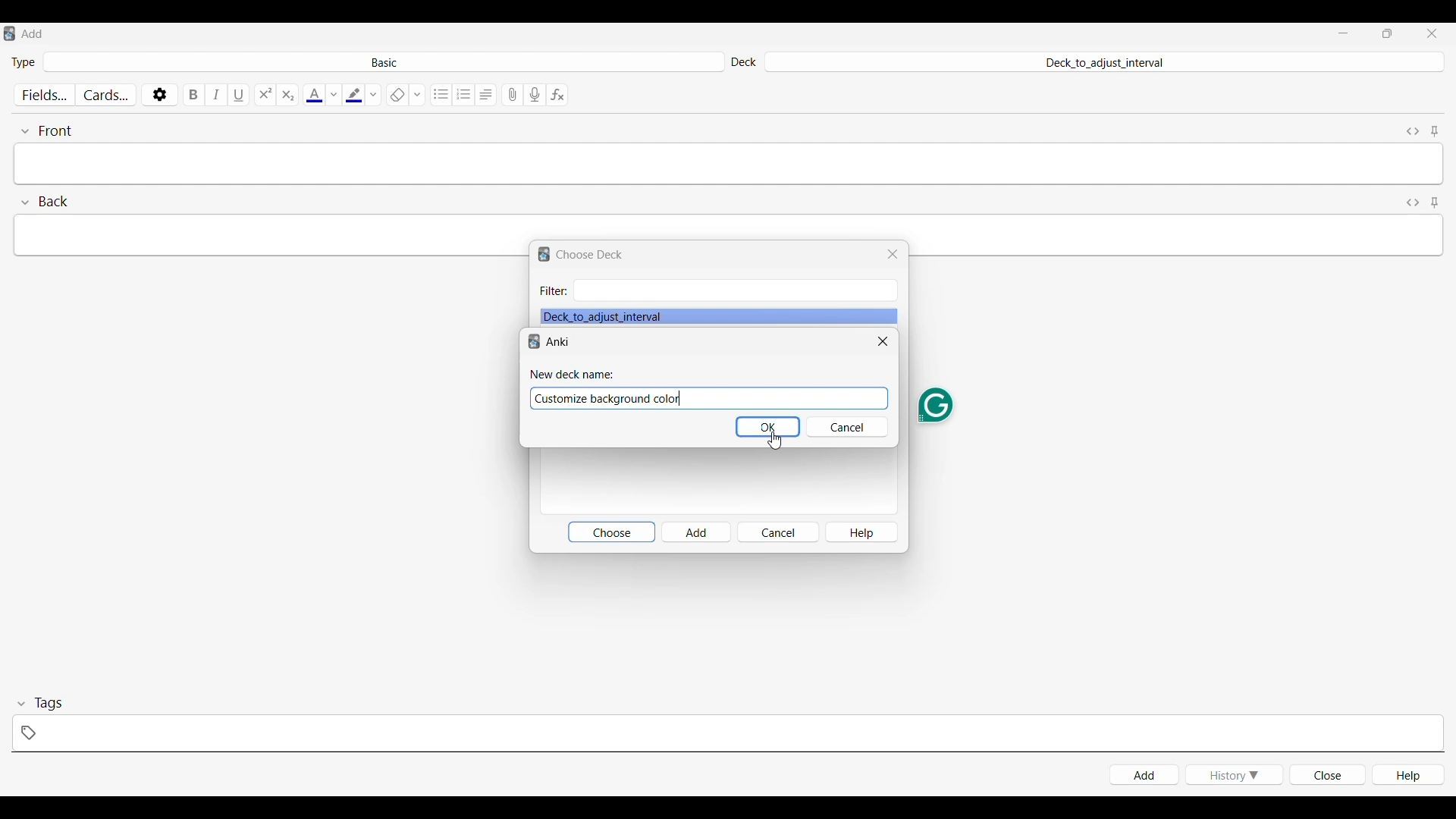 The image size is (1456, 819). I want to click on Software logo, so click(9, 33).